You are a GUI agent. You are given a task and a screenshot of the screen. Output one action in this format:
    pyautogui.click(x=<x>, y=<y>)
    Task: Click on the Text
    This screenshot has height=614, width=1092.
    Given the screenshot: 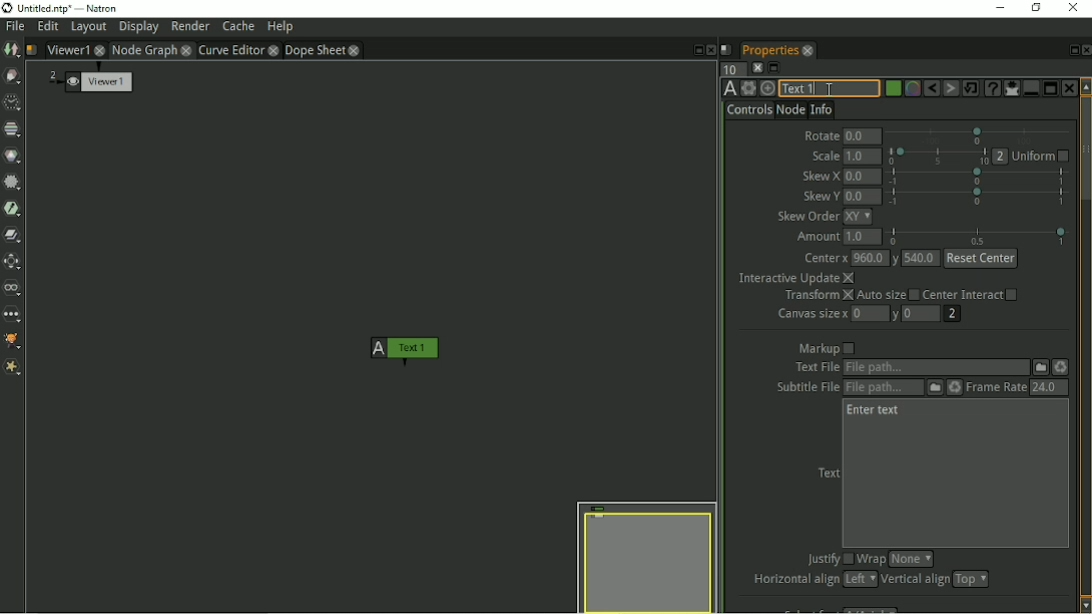 What is the action you would take?
    pyautogui.click(x=827, y=473)
    